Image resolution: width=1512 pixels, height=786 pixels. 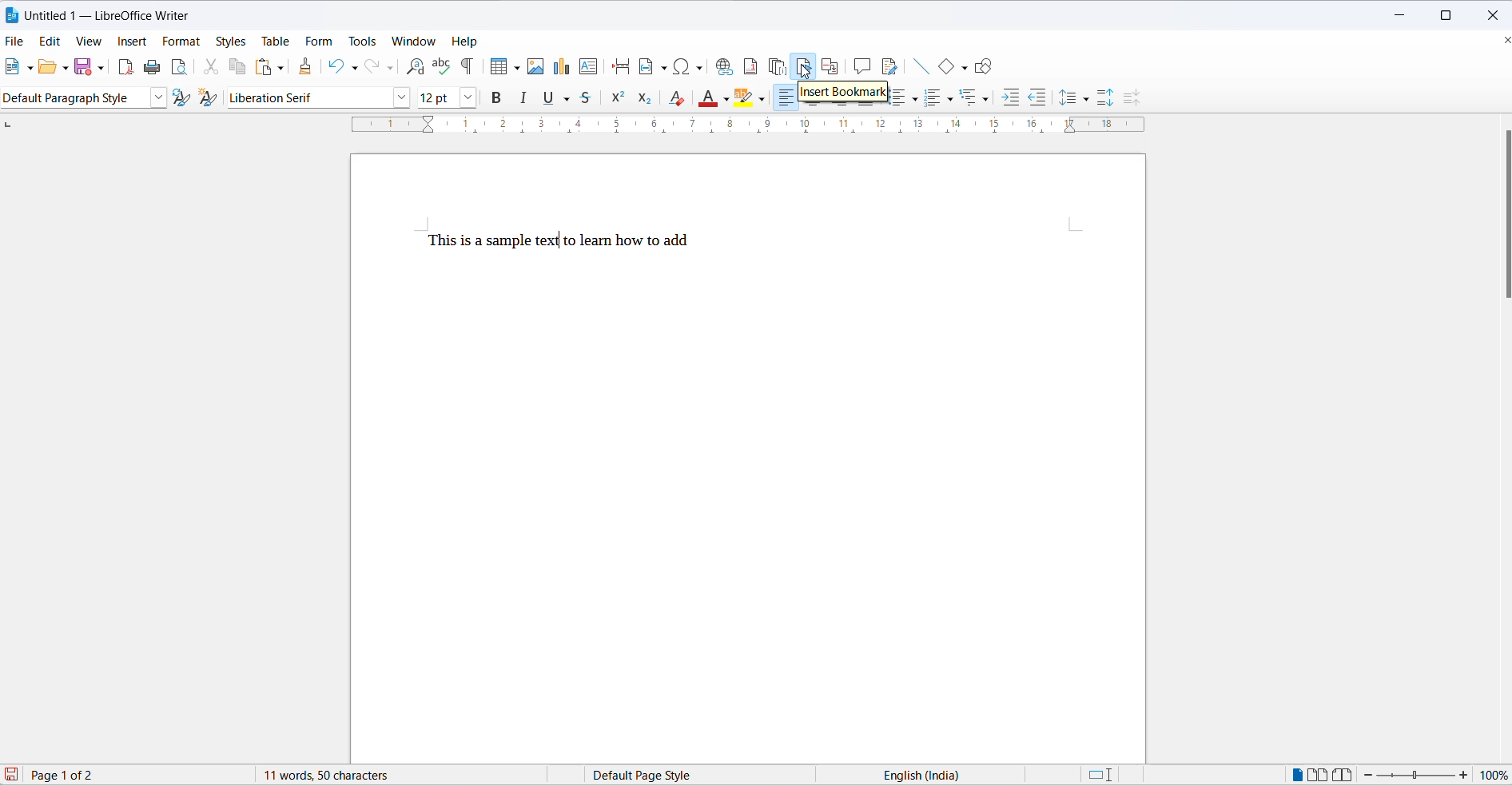 What do you see at coordinates (14, 42) in the screenshot?
I see `file` at bounding box center [14, 42].